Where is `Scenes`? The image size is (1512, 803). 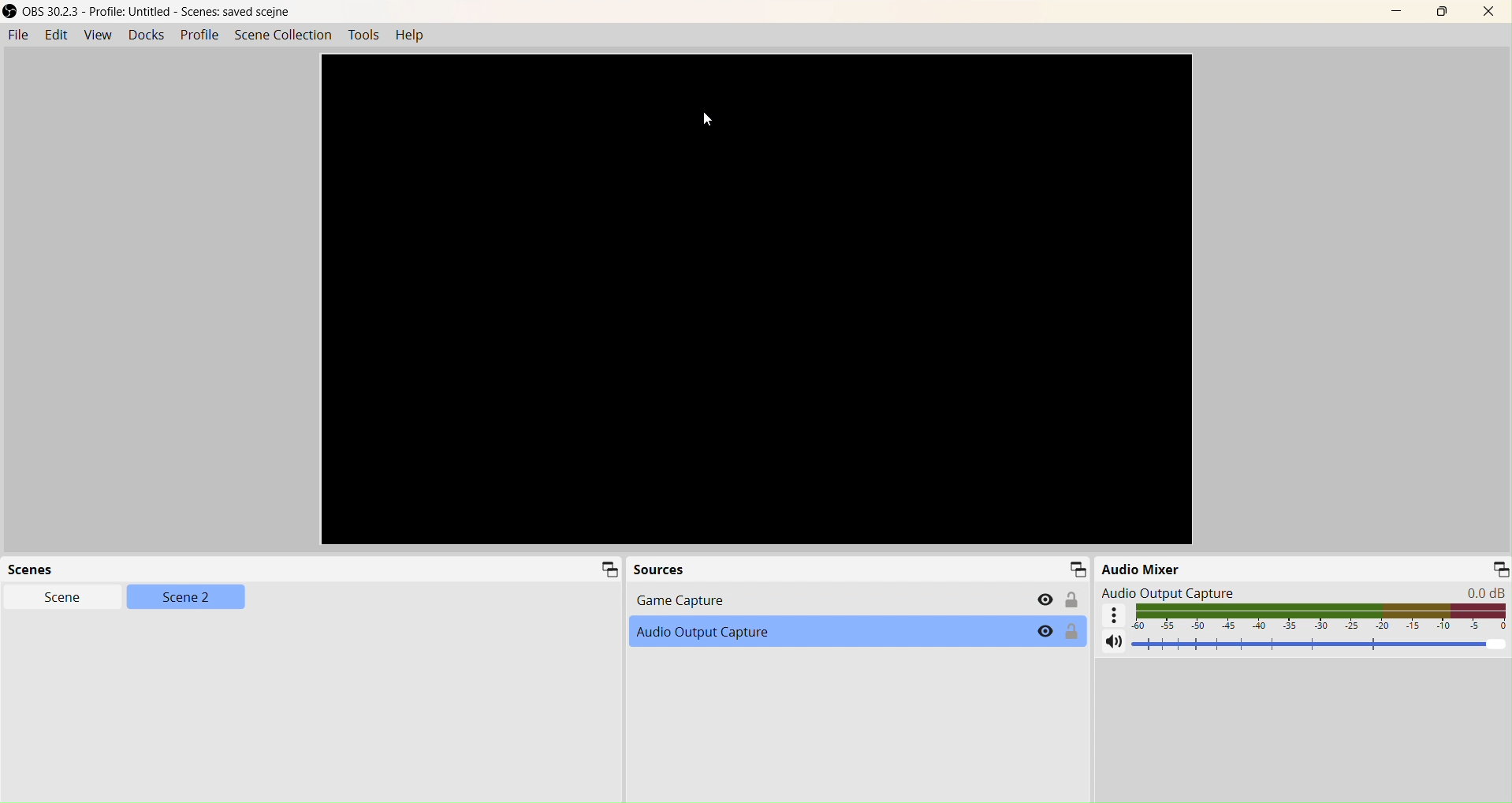 Scenes is located at coordinates (312, 570).